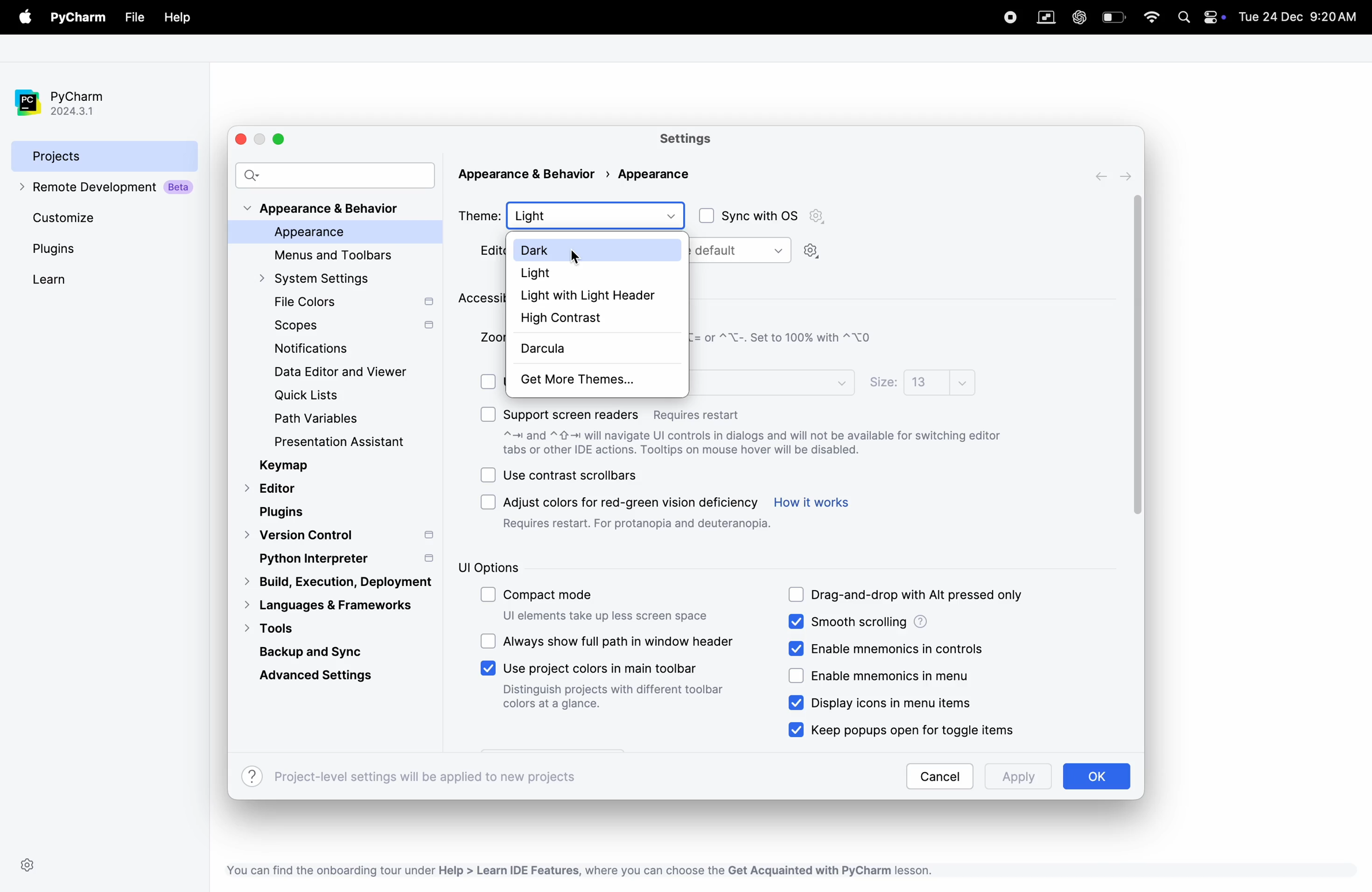  Describe the element at coordinates (572, 475) in the screenshot. I see `use contrast scrollbars` at that location.